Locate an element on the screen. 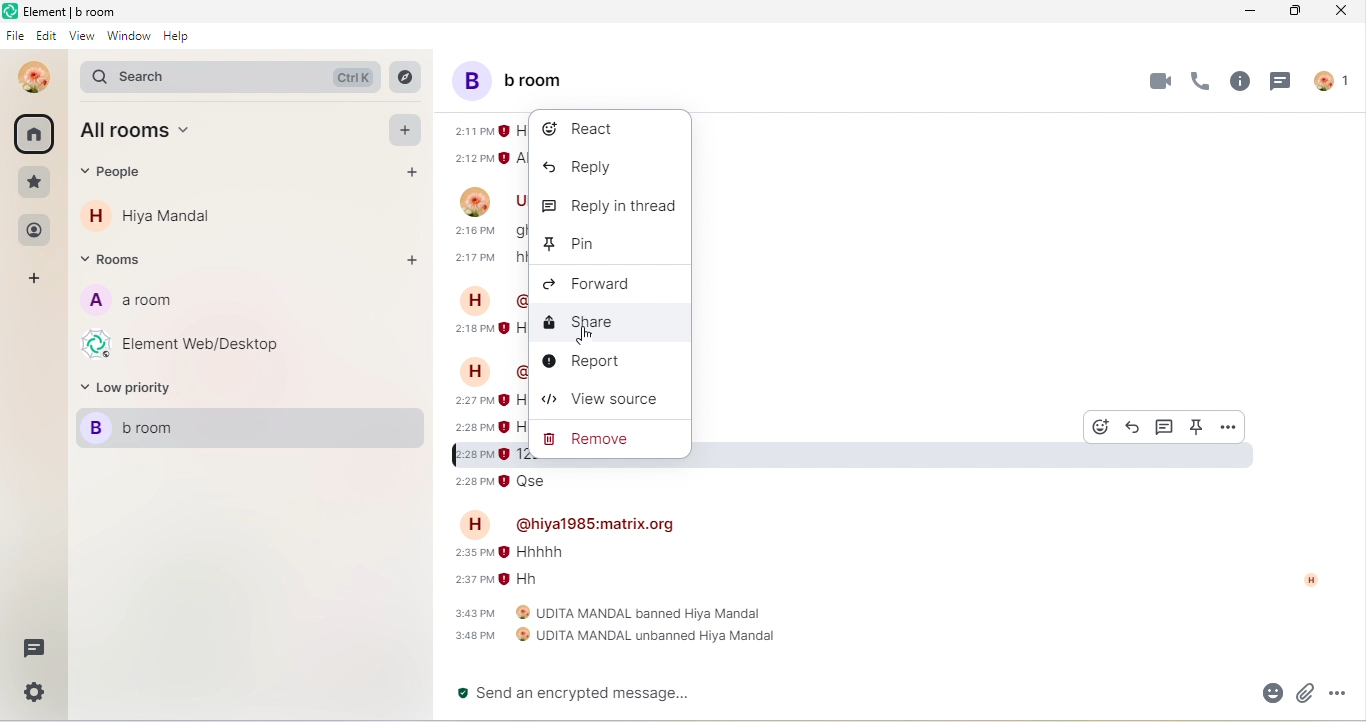  emoji is located at coordinates (1264, 694).